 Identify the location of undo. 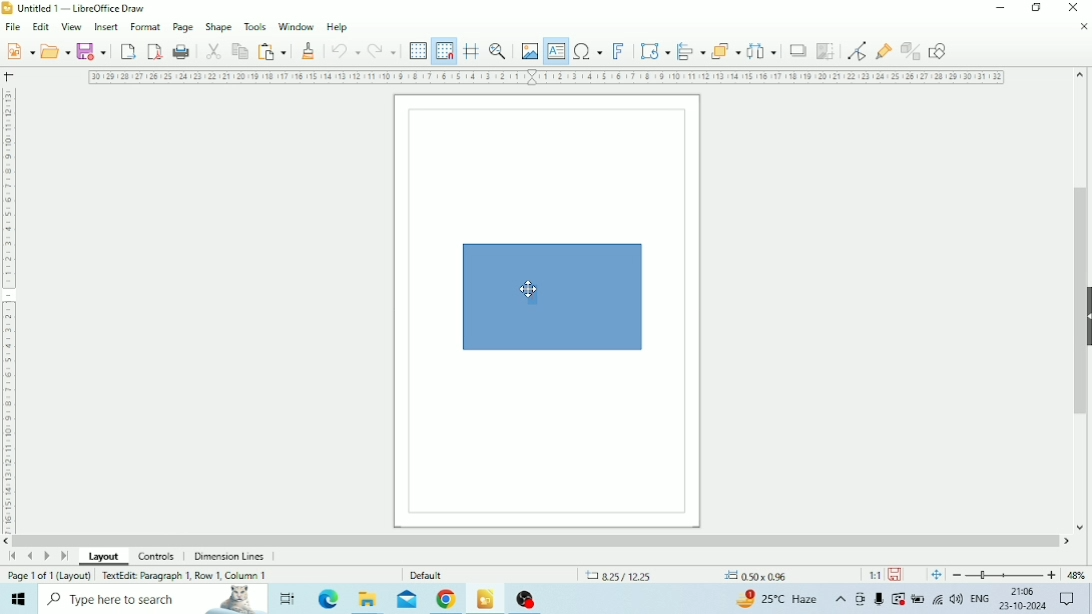
(345, 51).